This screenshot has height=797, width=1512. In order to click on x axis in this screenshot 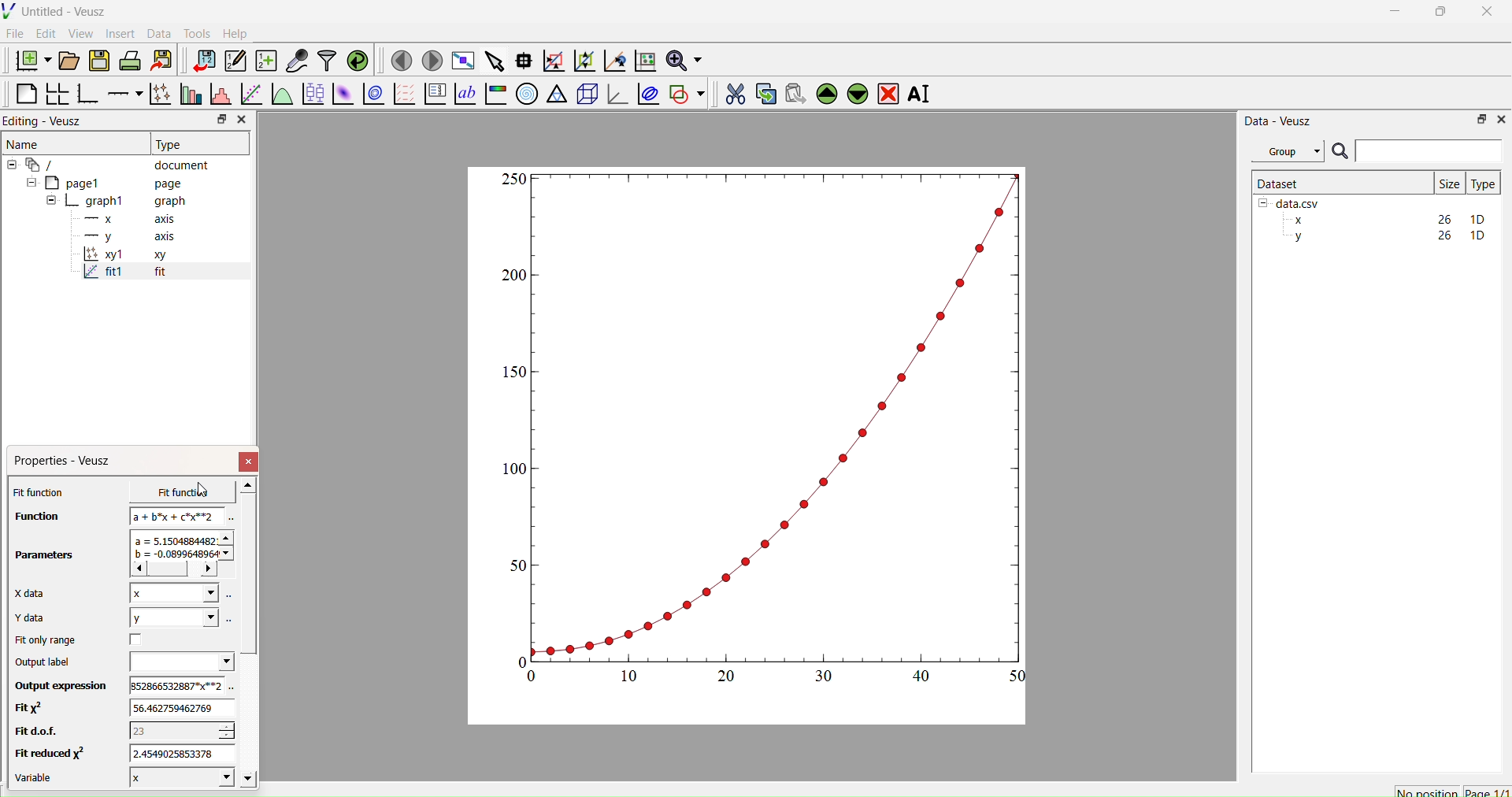, I will do `click(128, 217)`.